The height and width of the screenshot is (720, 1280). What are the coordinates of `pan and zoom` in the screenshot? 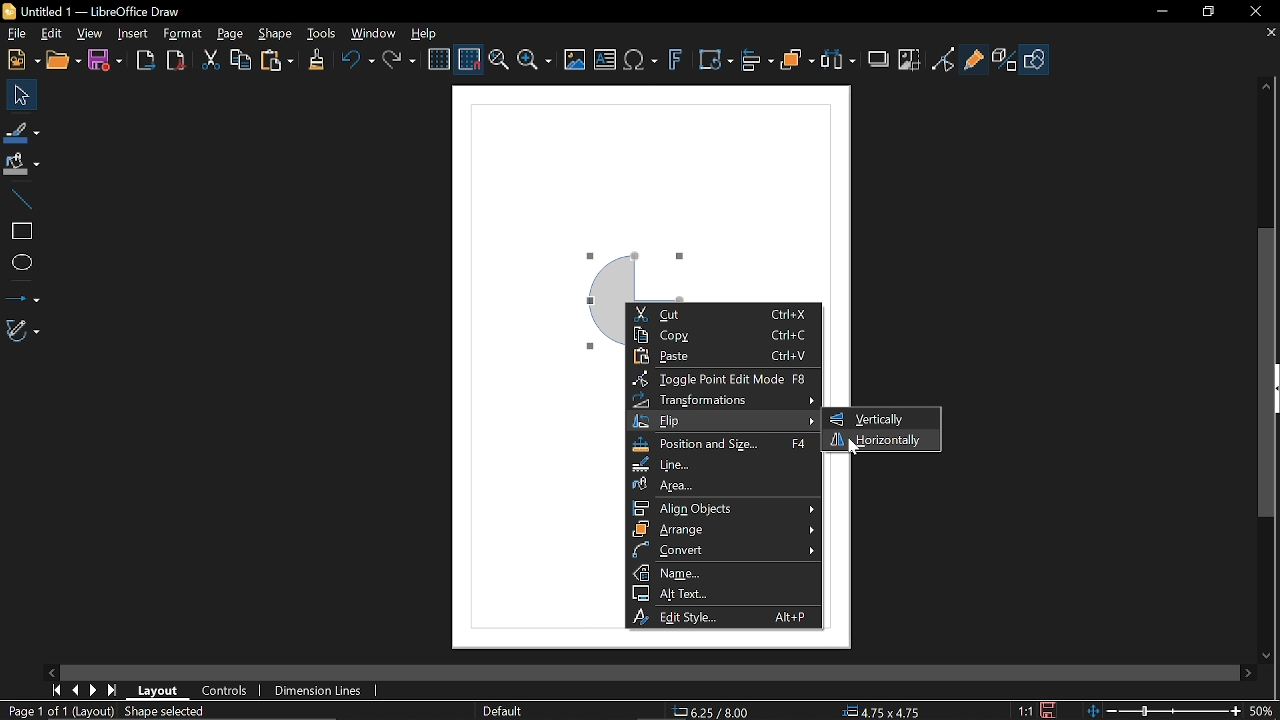 It's located at (498, 61).